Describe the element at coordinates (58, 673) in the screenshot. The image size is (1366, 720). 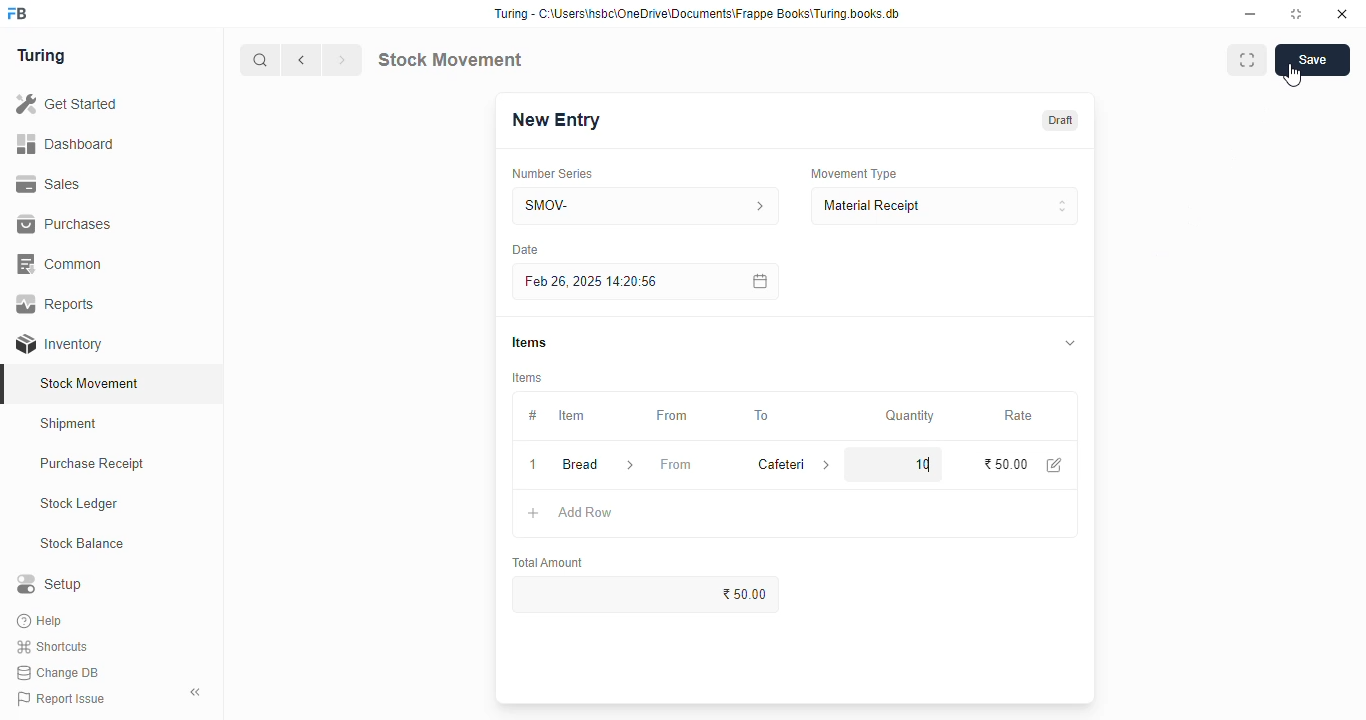
I see `change DB` at that location.